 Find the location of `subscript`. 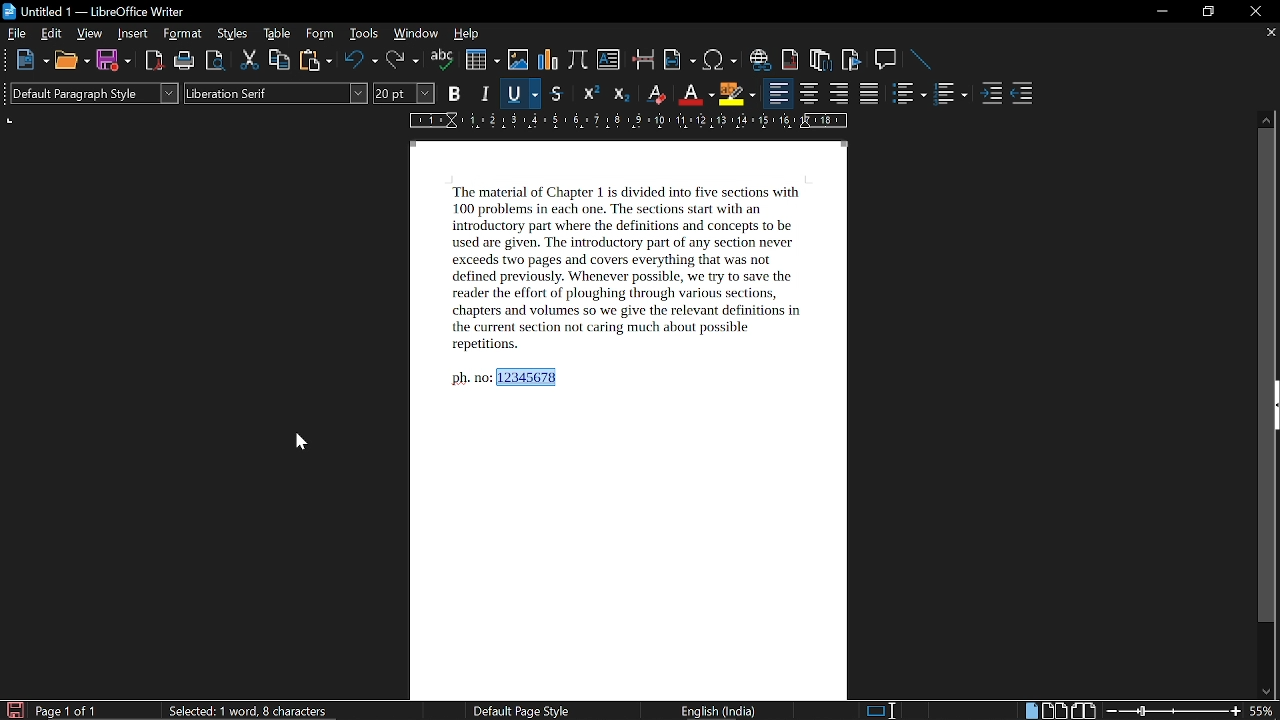

subscript is located at coordinates (619, 94).